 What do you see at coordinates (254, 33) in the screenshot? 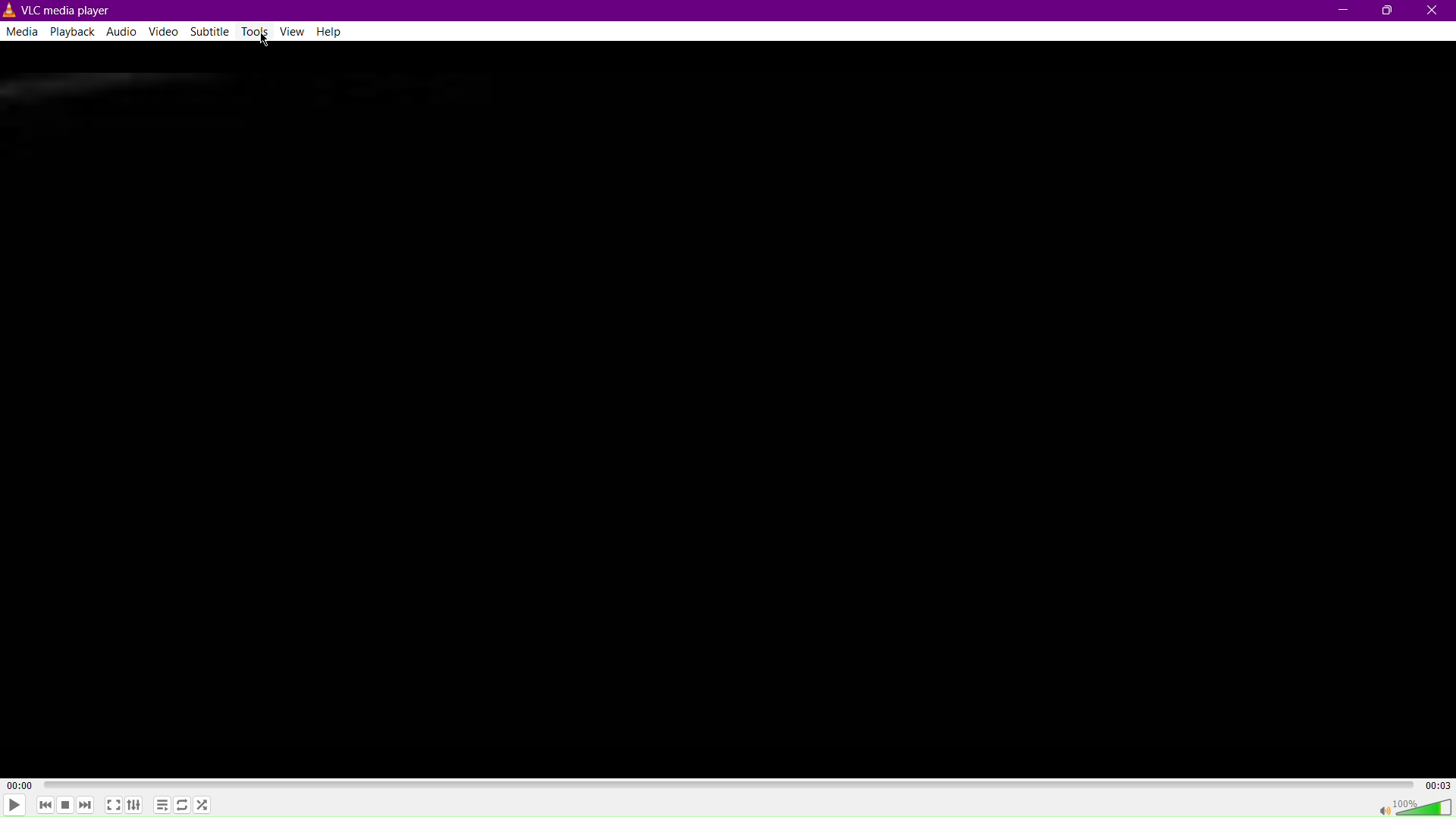
I see `Tools` at bounding box center [254, 33].